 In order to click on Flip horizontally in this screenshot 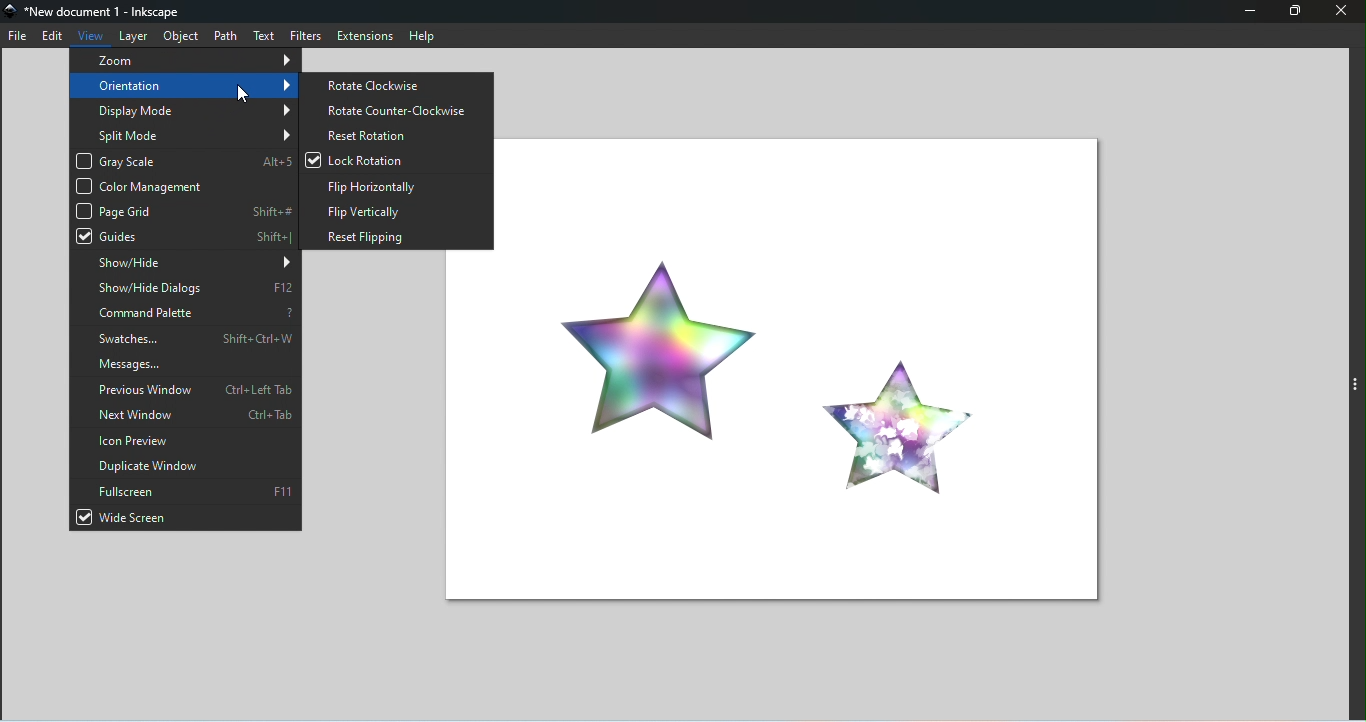, I will do `click(393, 209)`.